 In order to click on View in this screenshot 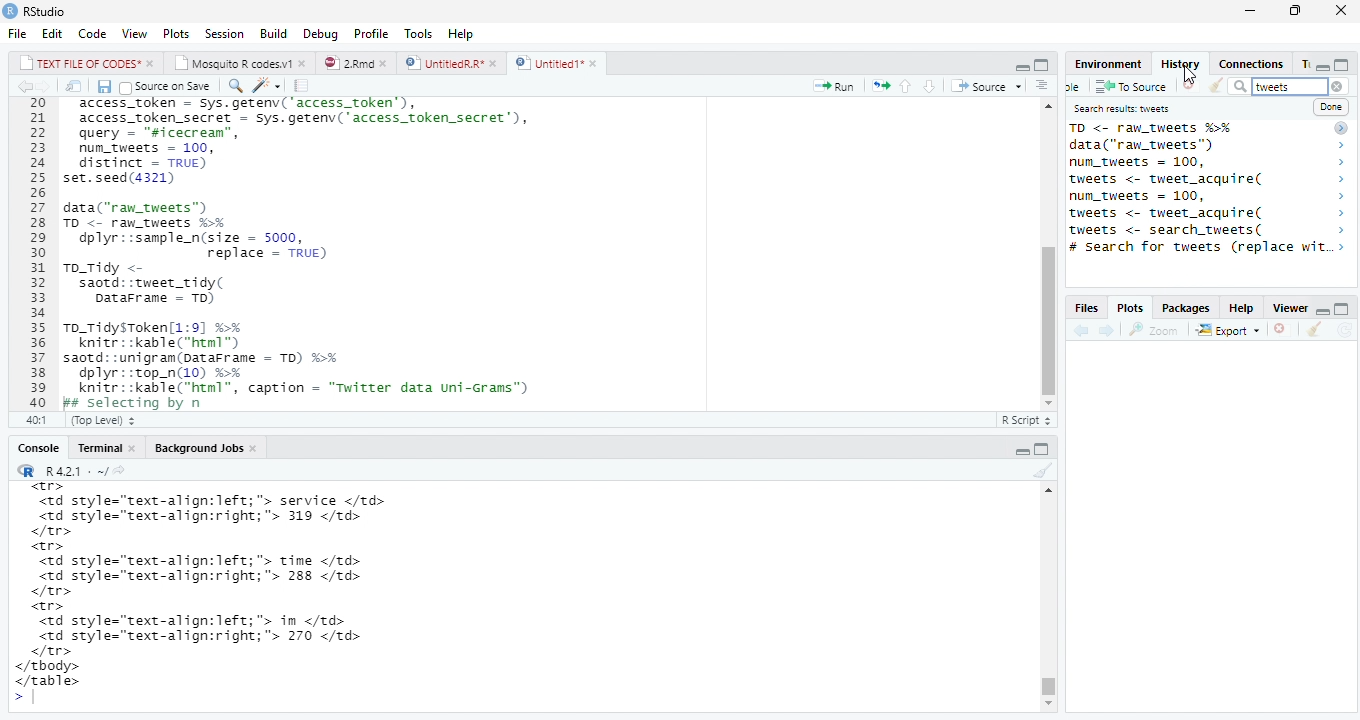, I will do `click(134, 32)`.